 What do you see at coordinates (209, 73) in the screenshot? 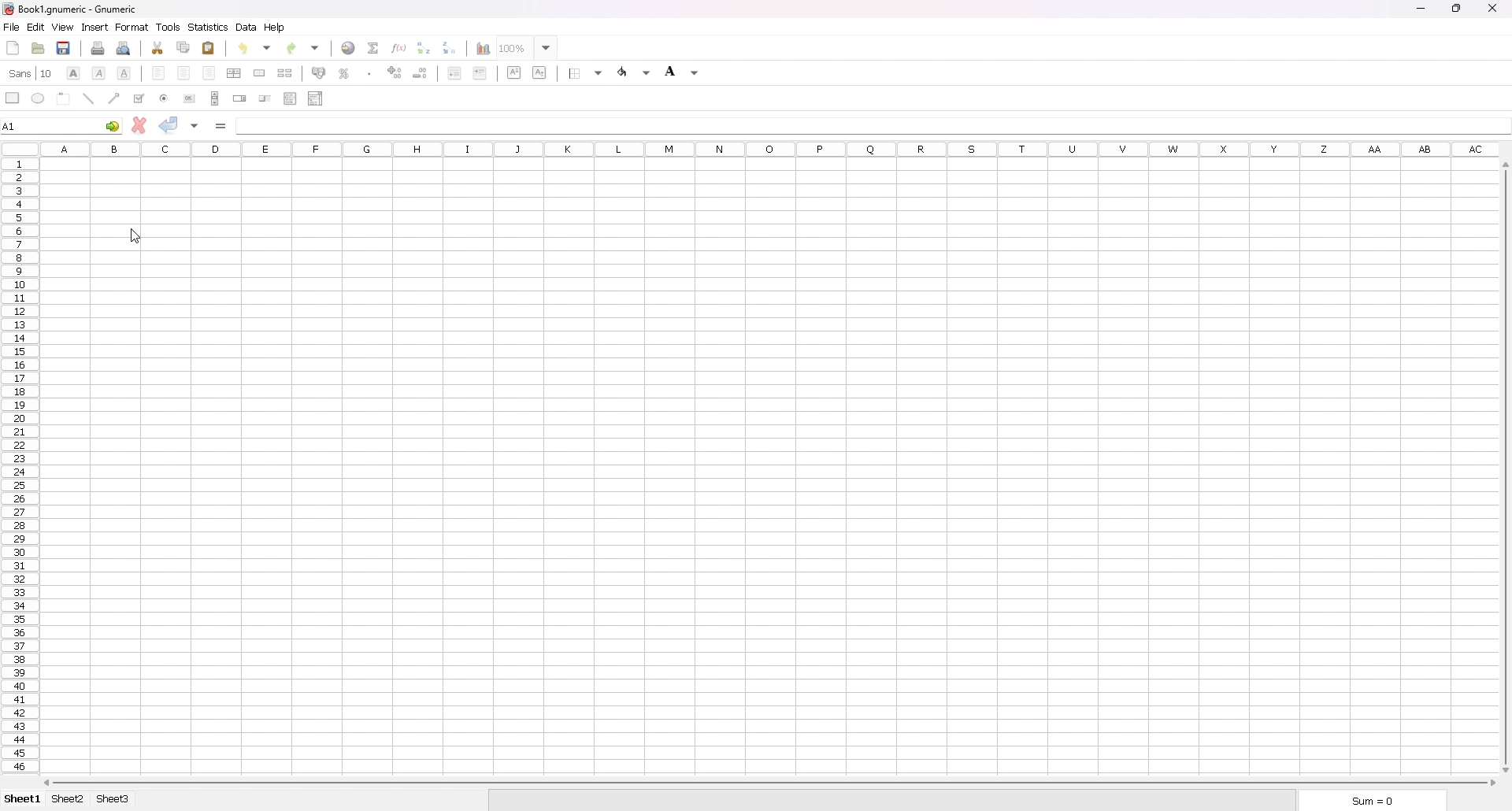
I see `right align` at bounding box center [209, 73].